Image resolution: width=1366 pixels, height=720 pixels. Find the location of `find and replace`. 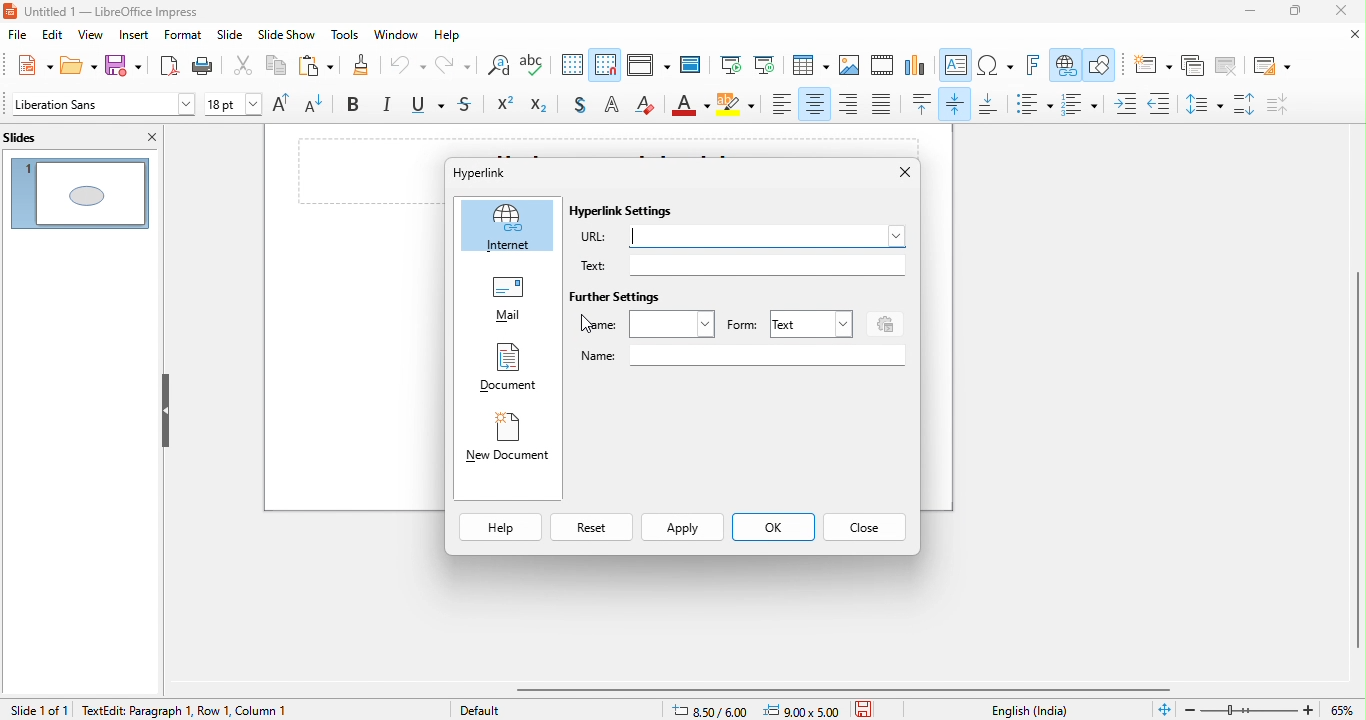

find and replace is located at coordinates (496, 68).